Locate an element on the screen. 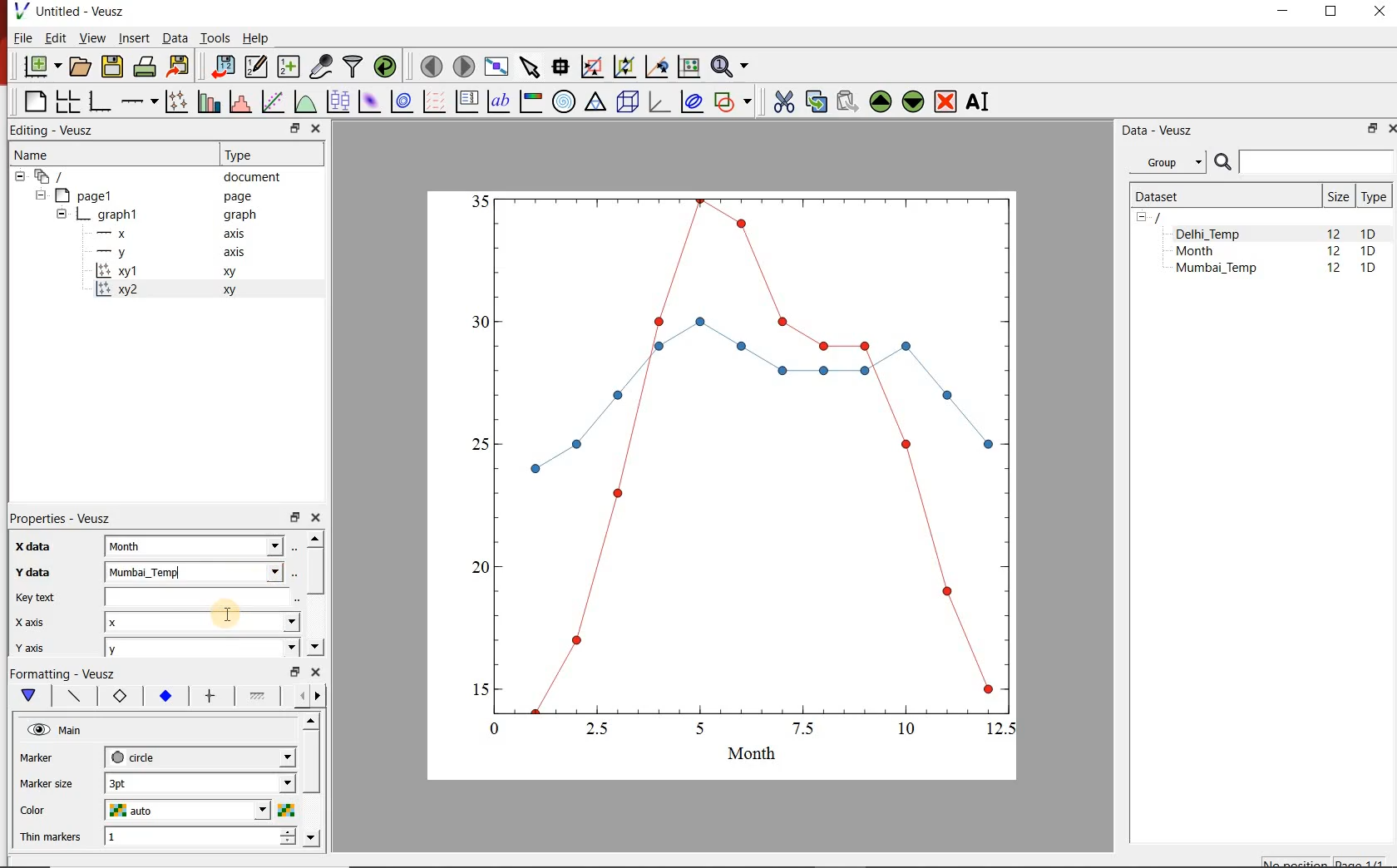 This screenshot has height=868, width=1397. cut the selected widget is located at coordinates (783, 101).